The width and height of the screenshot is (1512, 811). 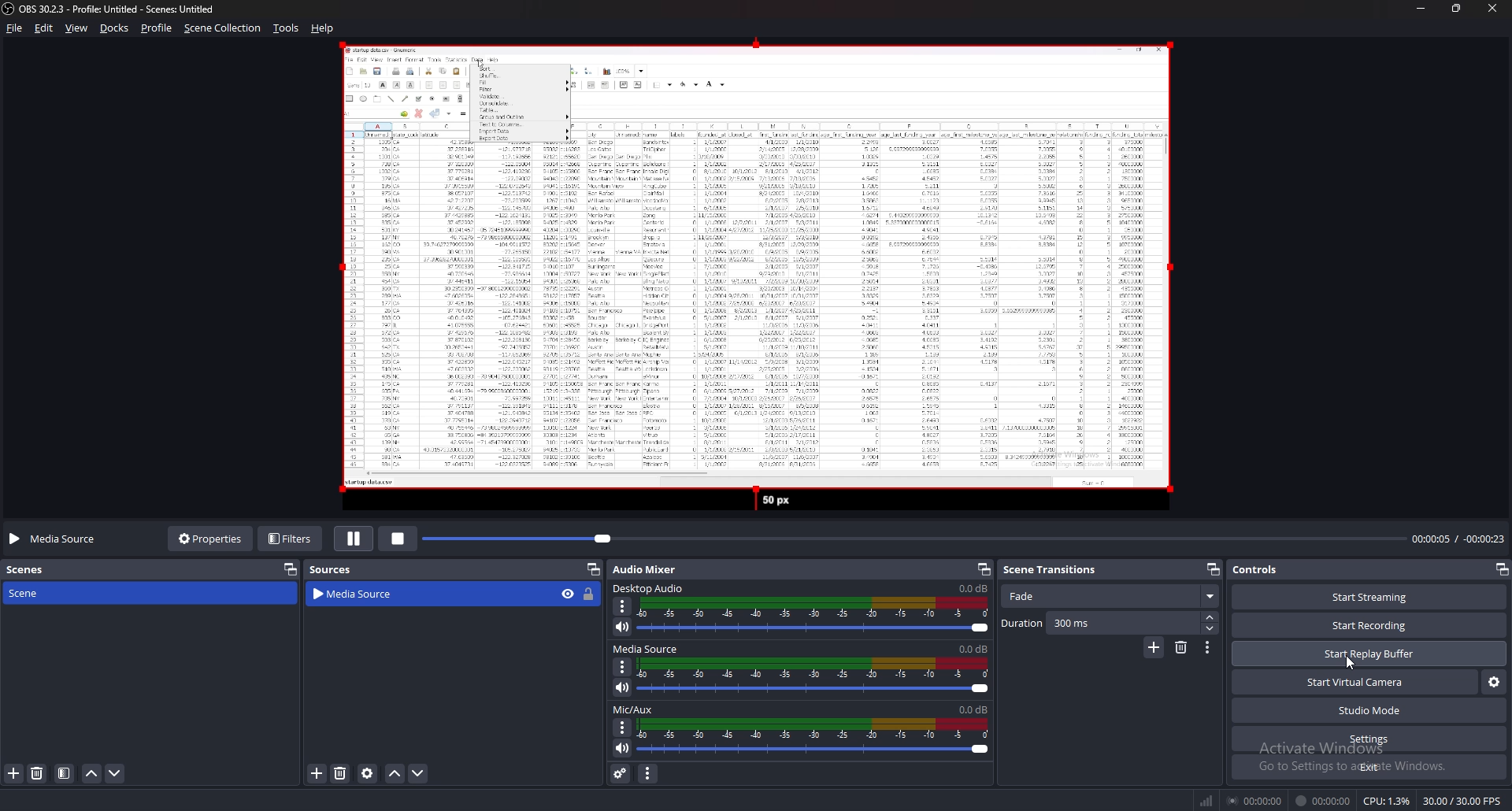 I want to click on media source, so click(x=57, y=539).